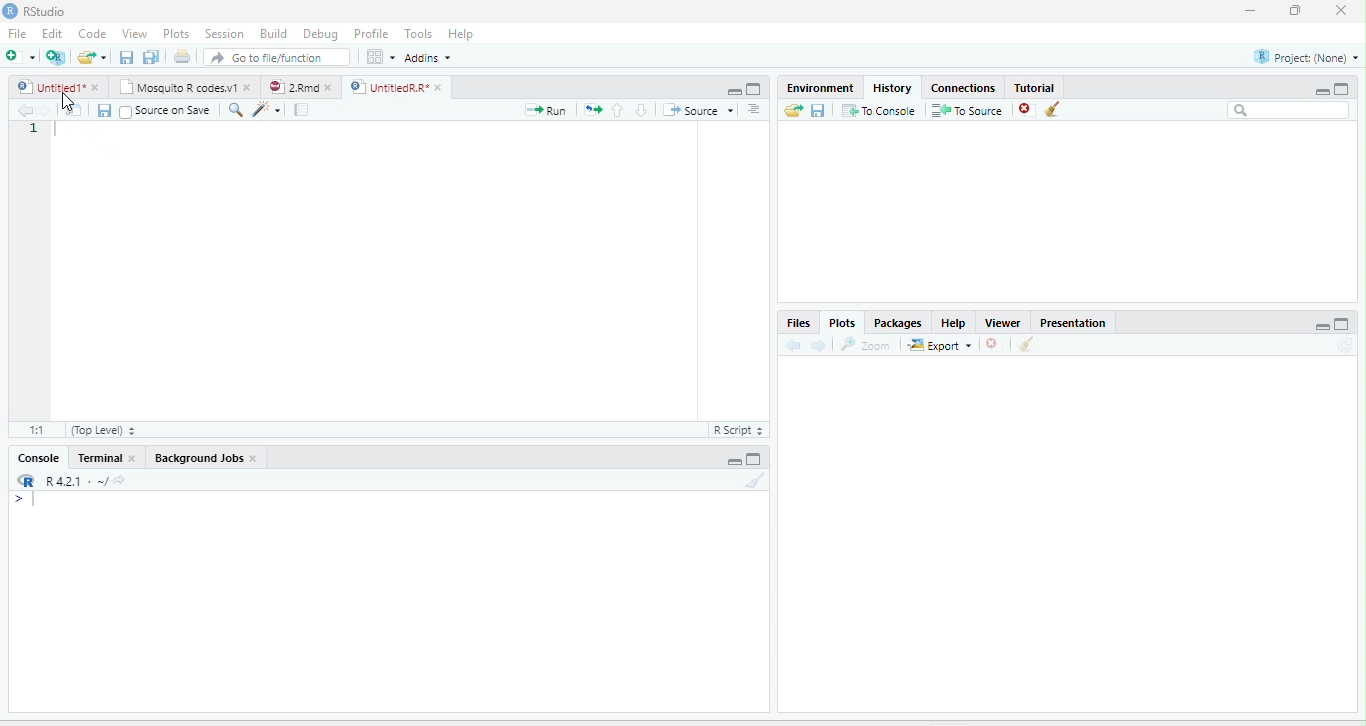  What do you see at coordinates (273, 33) in the screenshot?
I see `Build` at bounding box center [273, 33].